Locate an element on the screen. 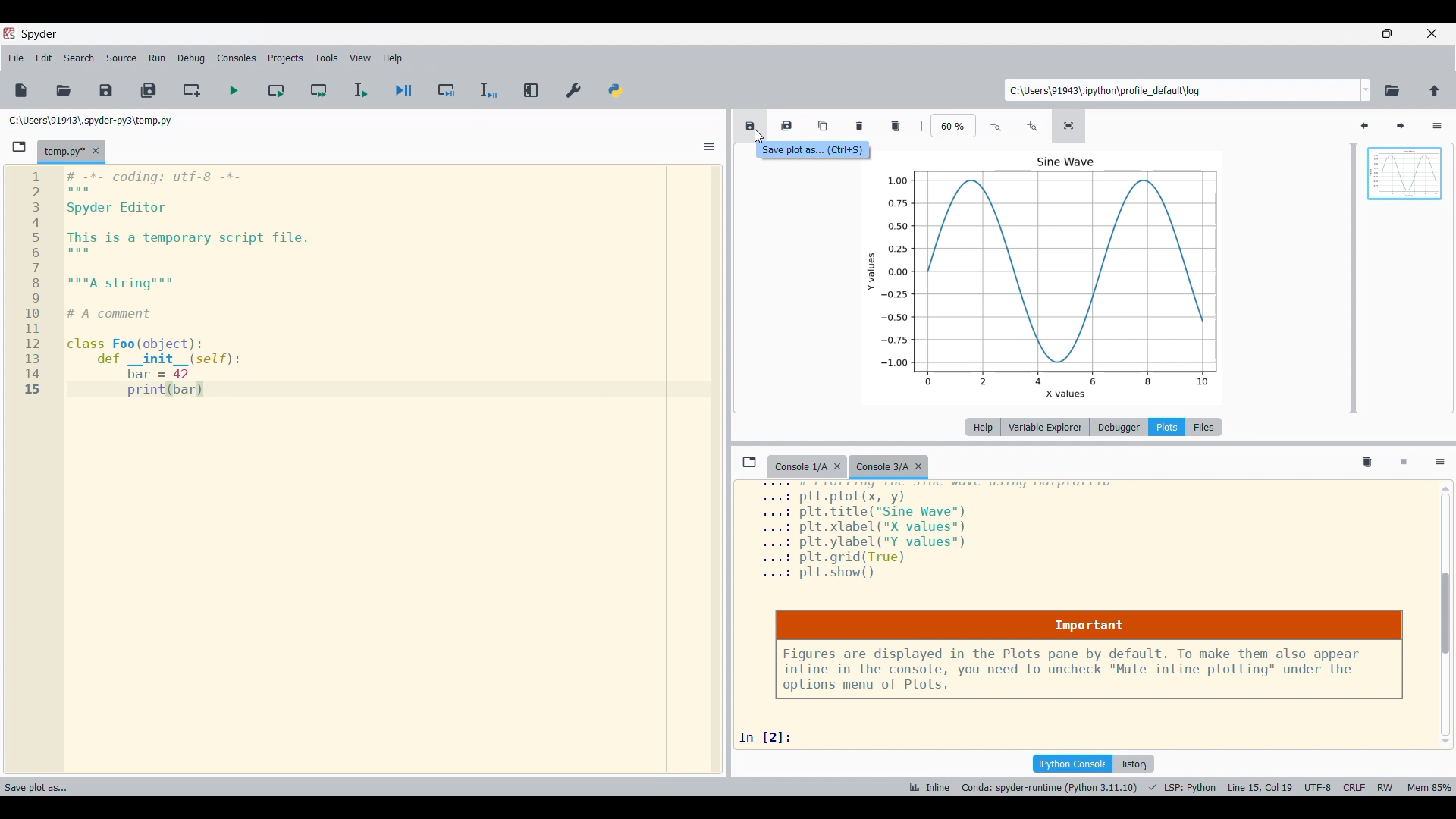  Tools men is located at coordinates (326, 58).